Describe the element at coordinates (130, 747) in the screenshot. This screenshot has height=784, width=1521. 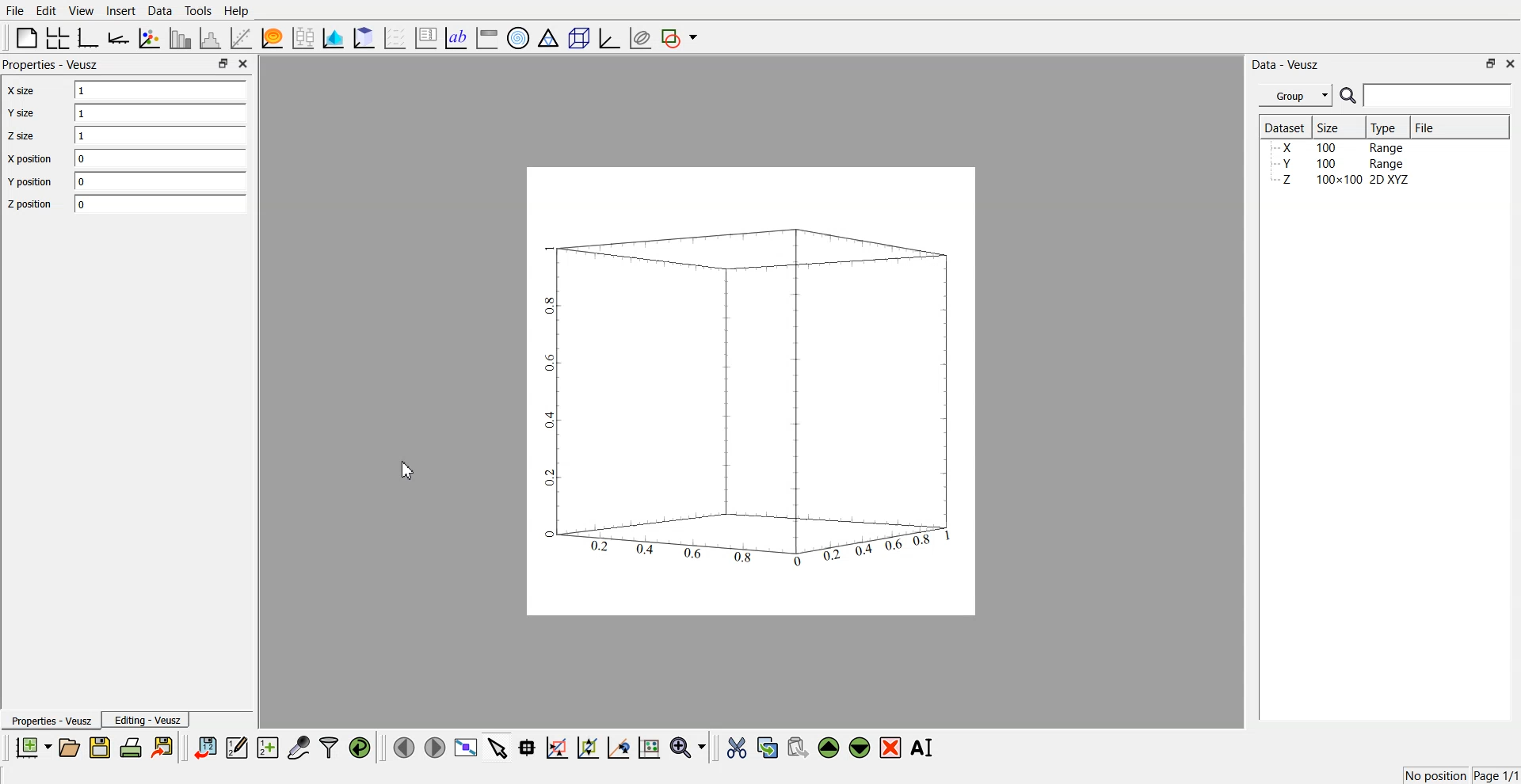
I see `Print the document` at that location.